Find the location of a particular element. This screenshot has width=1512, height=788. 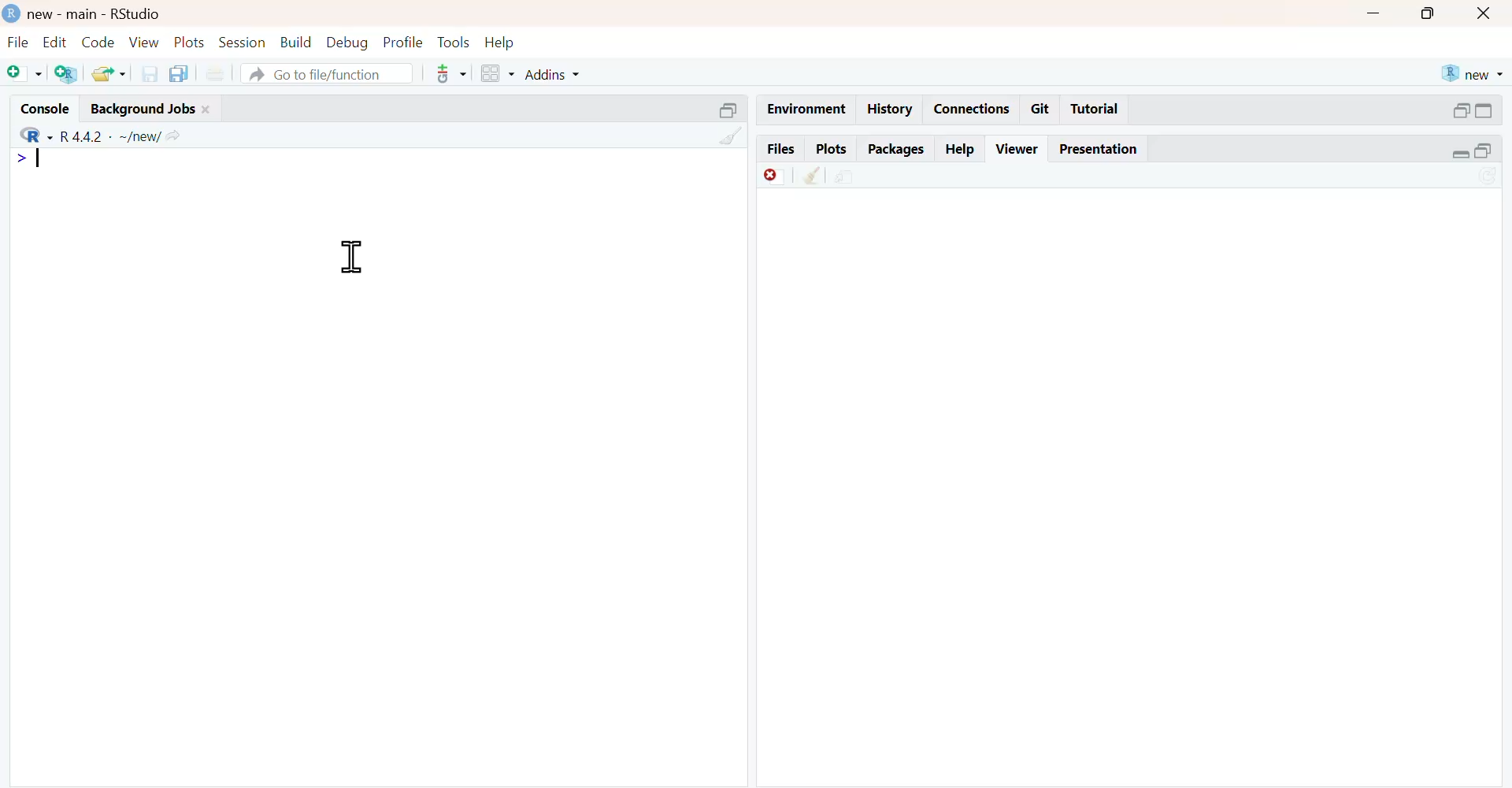

open in separate window is located at coordinates (728, 111).